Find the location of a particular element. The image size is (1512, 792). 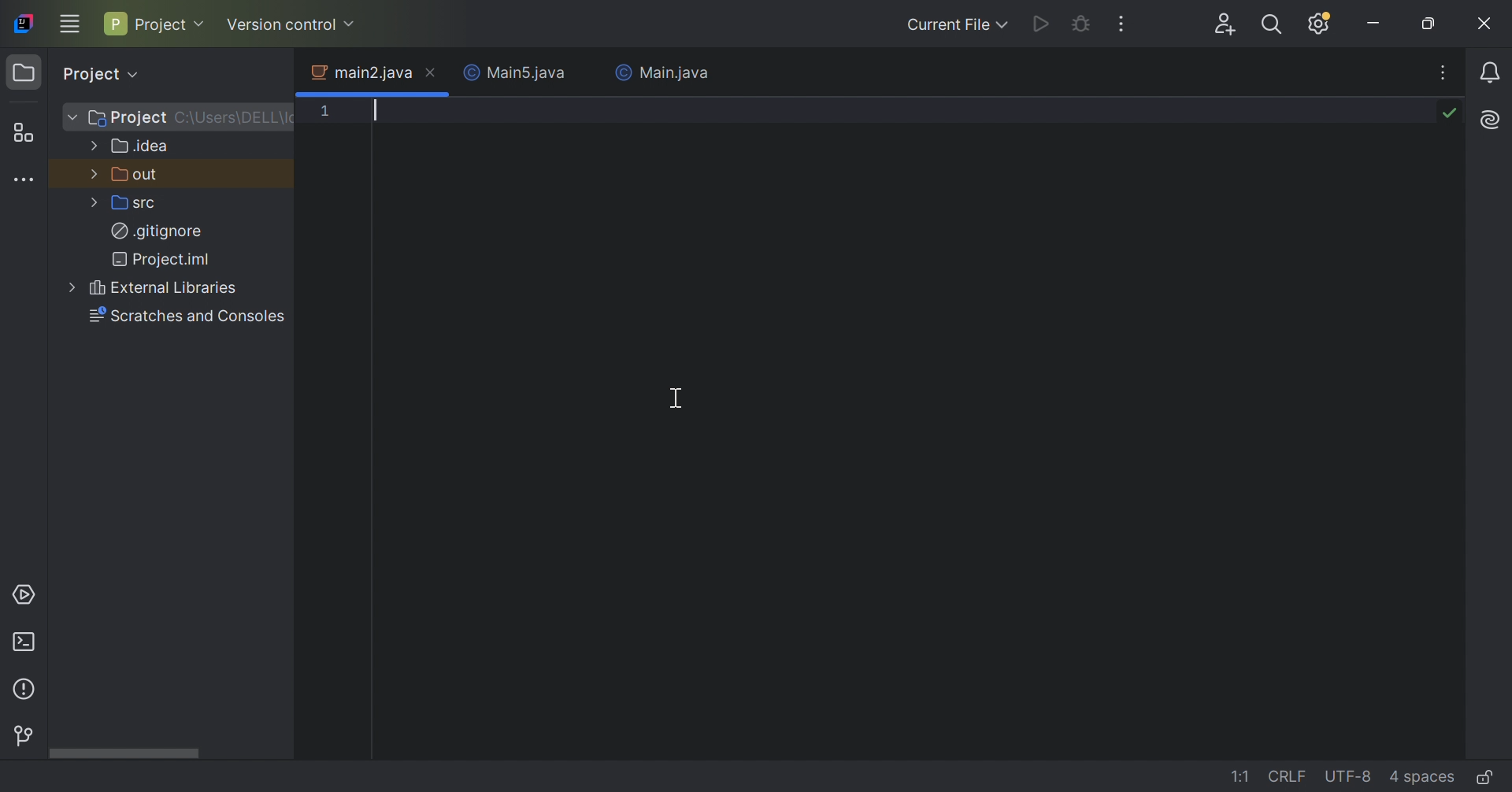

Cursor is located at coordinates (680, 398).